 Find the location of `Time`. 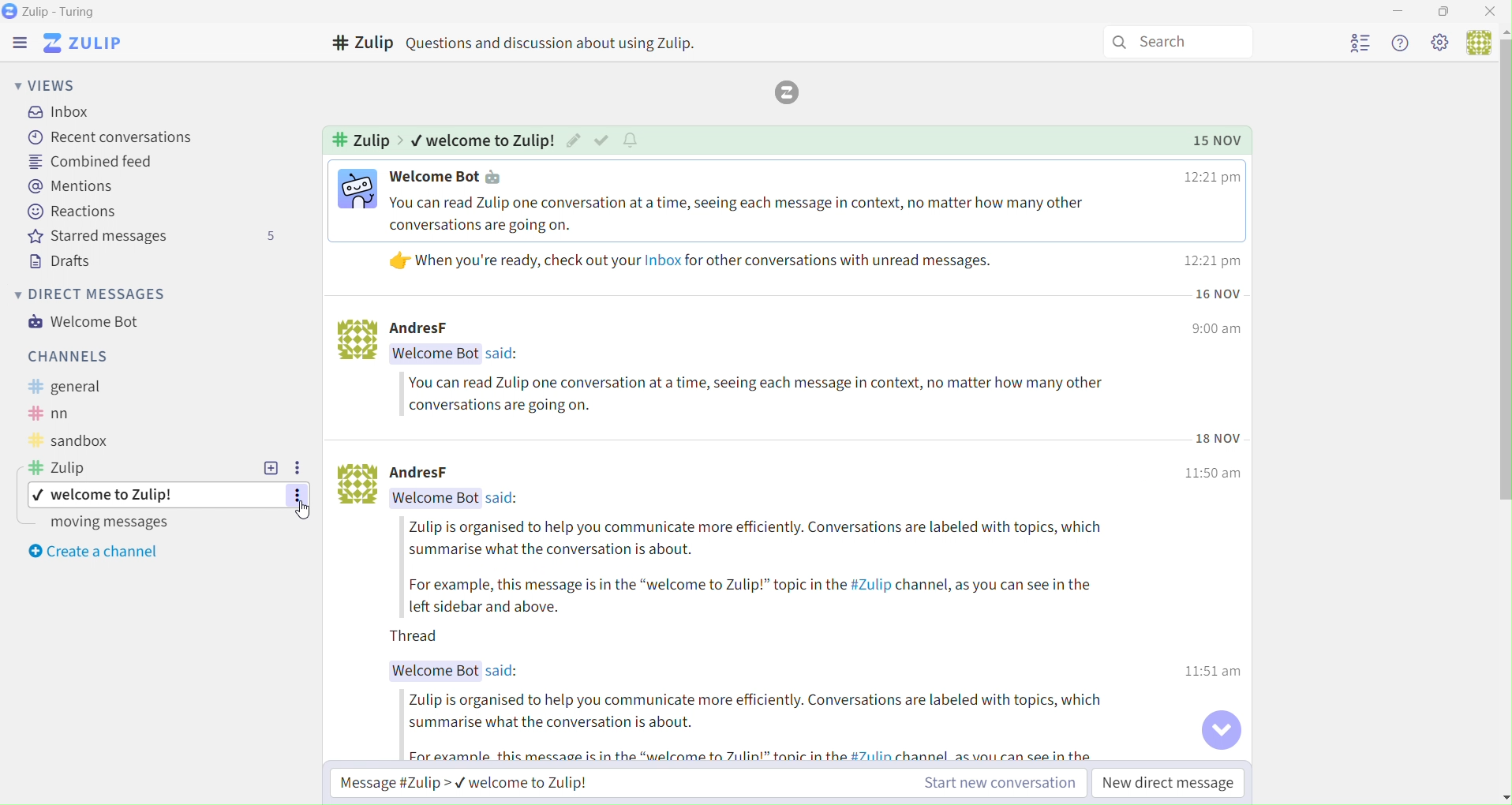

Time is located at coordinates (1214, 260).